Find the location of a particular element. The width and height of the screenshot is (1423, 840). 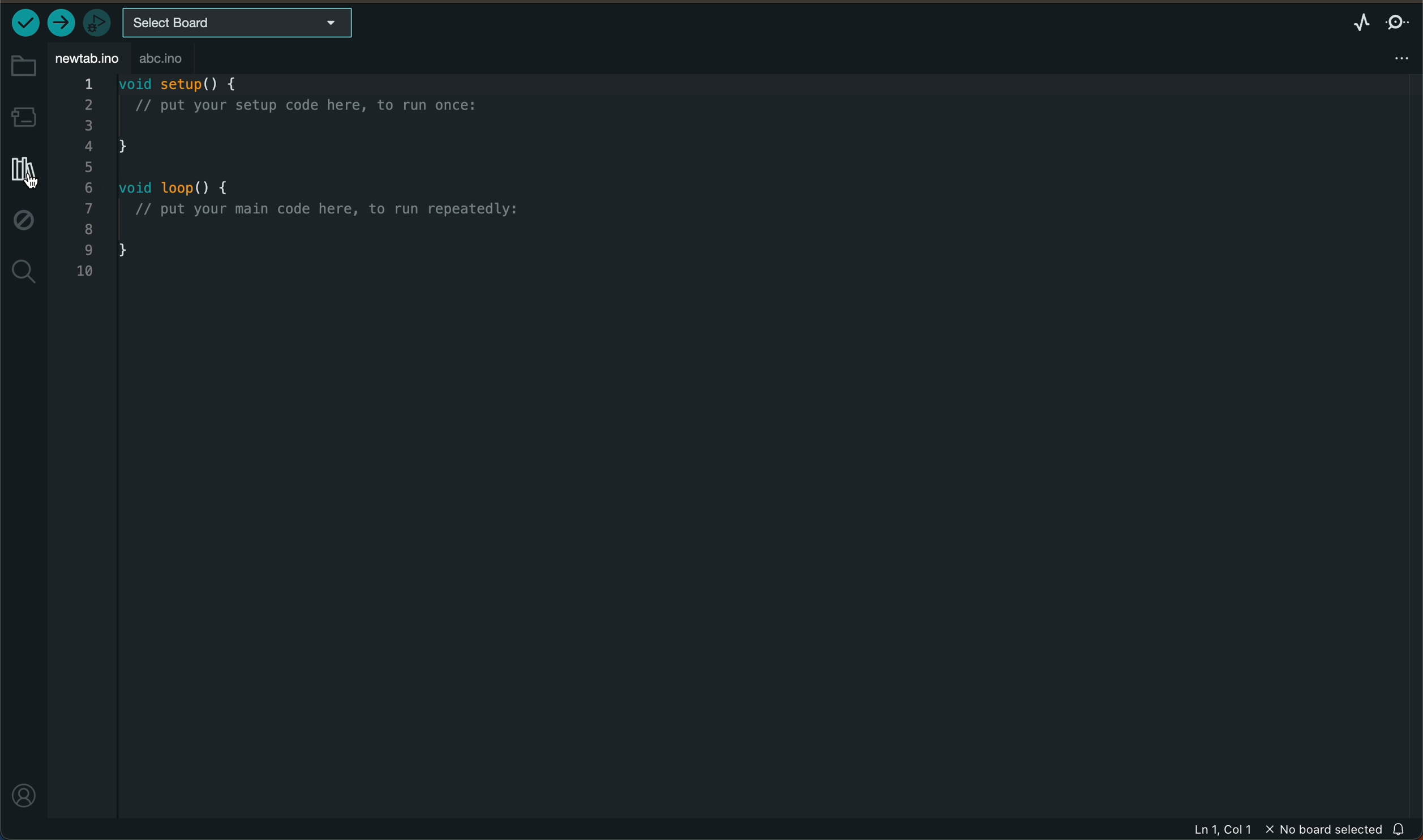

cursor is located at coordinates (26, 178).